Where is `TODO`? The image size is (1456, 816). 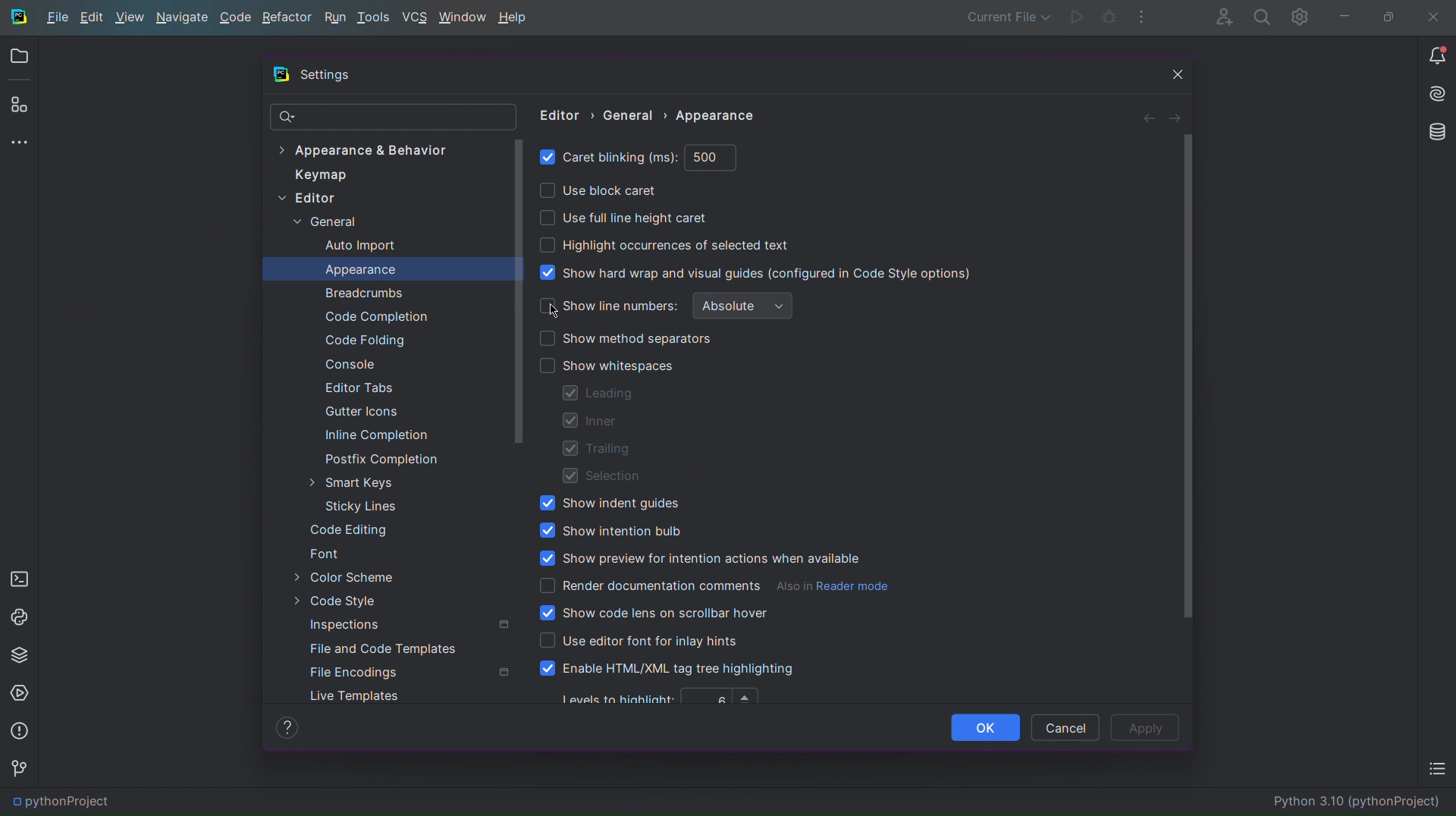
TODO is located at coordinates (1436, 771).